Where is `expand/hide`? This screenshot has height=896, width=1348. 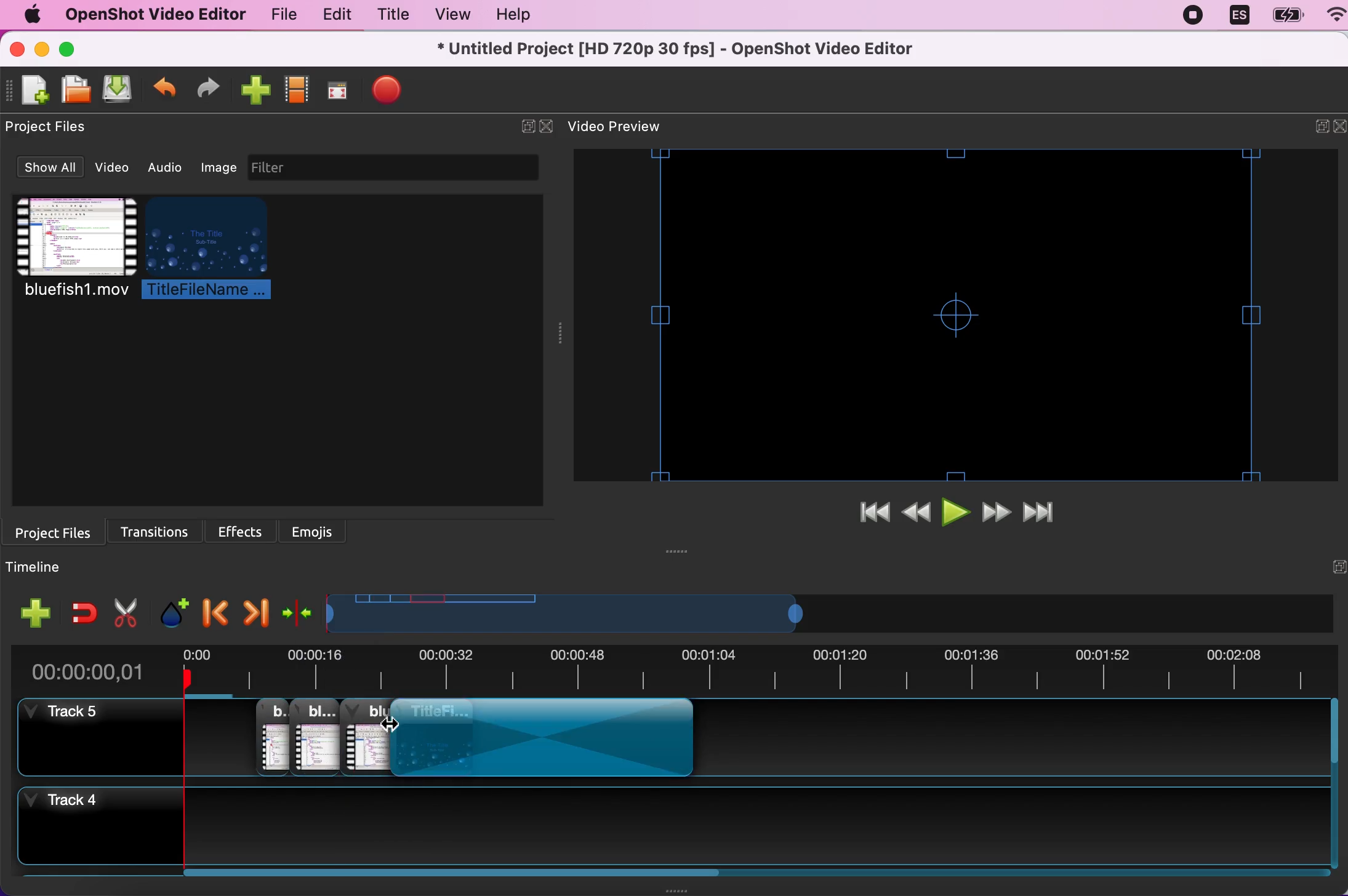
expand/hide is located at coordinates (1313, 129).